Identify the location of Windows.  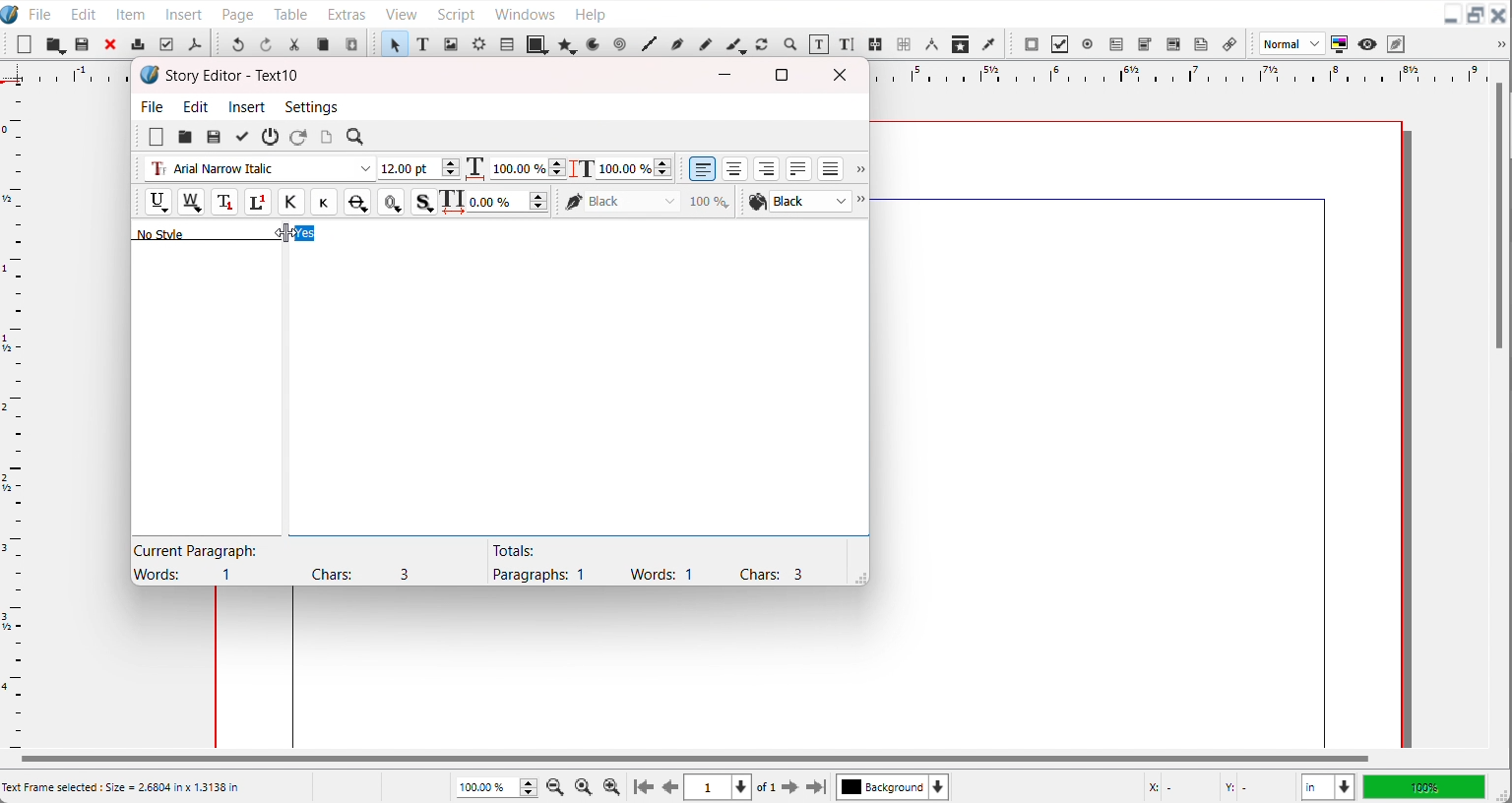
(525, 12).